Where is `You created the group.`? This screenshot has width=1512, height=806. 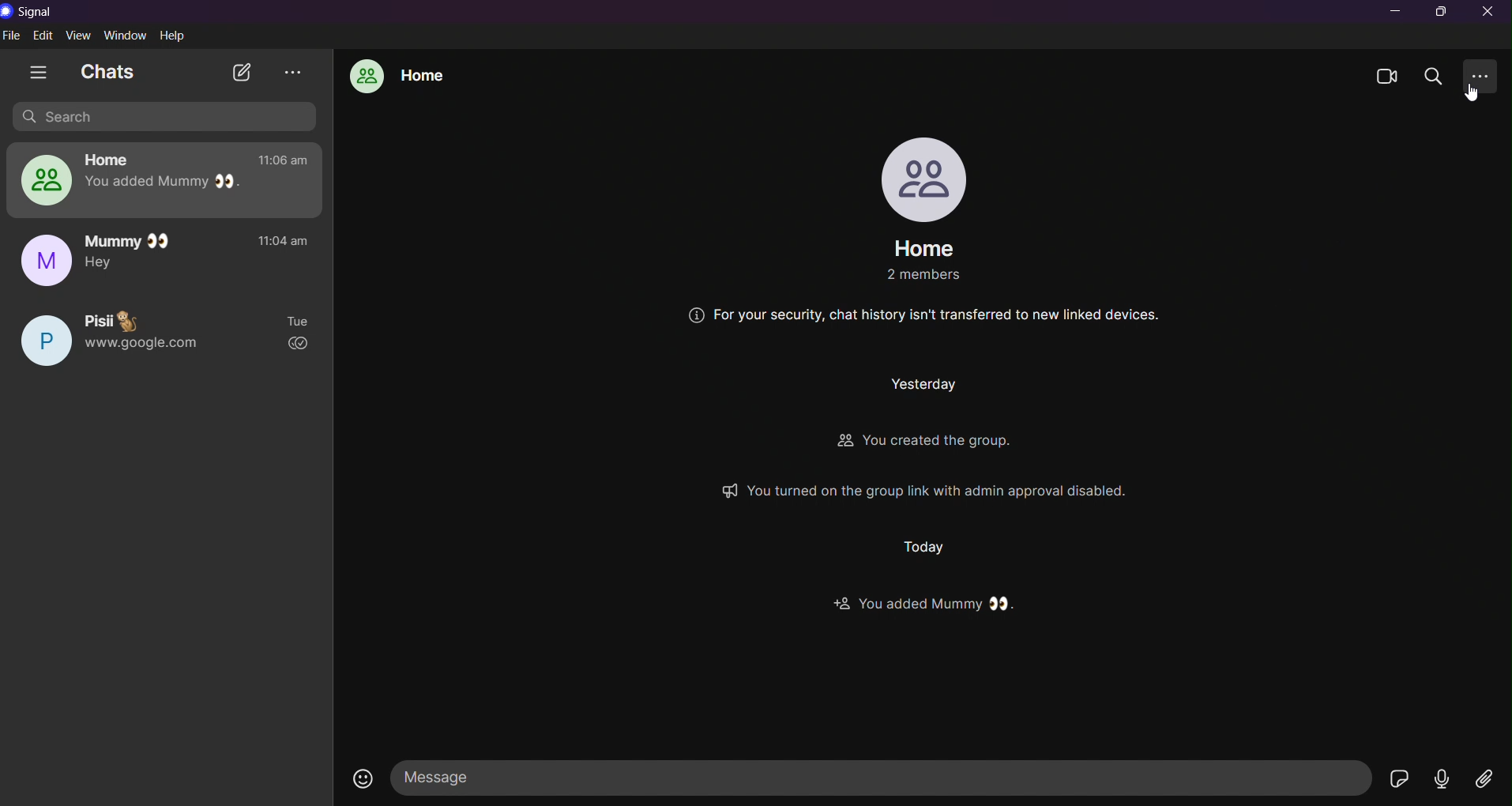 You created the group. is located at coordinates (957, 442).